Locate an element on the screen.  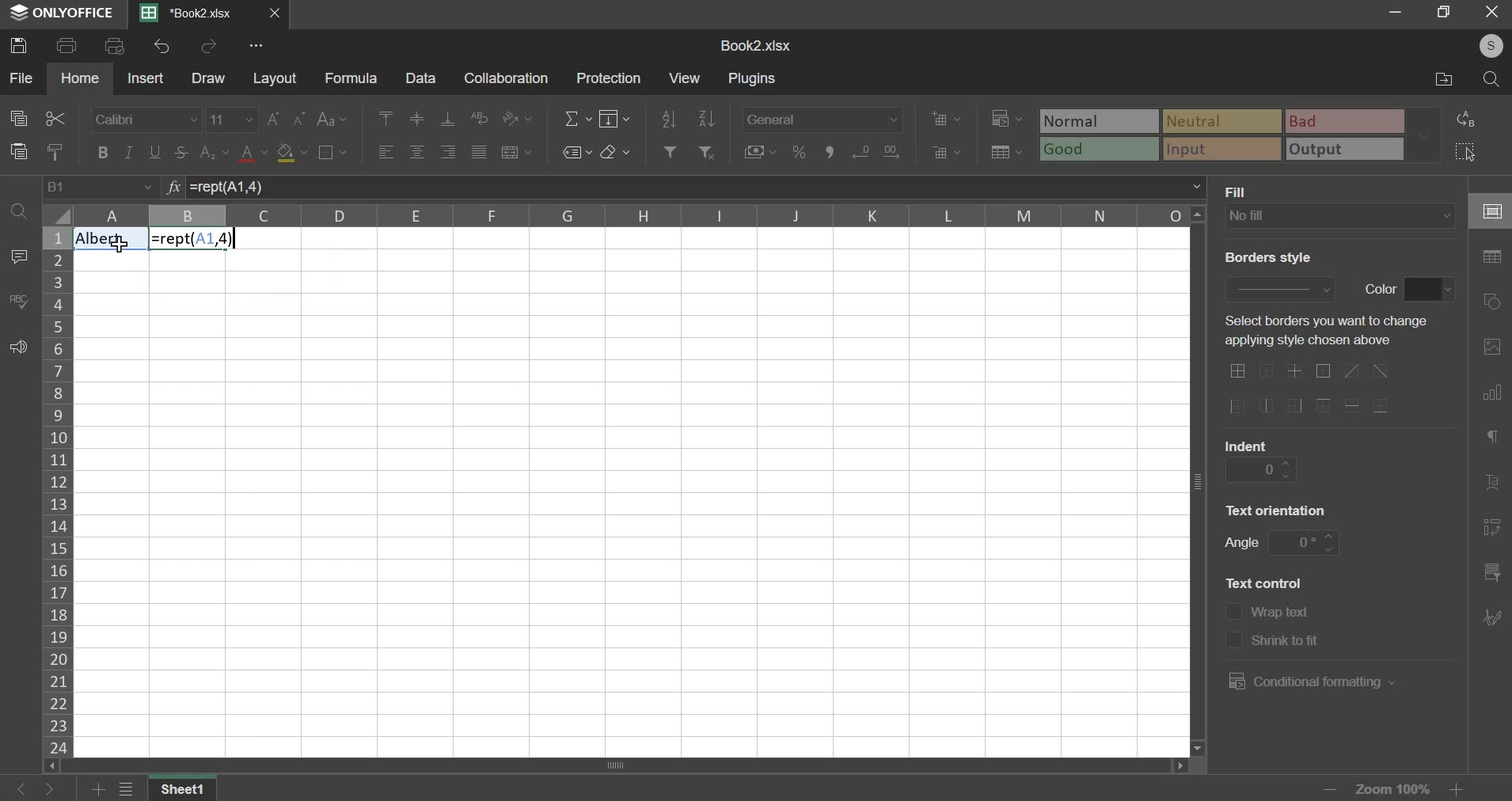
text is located at coordinates (1249, 443).